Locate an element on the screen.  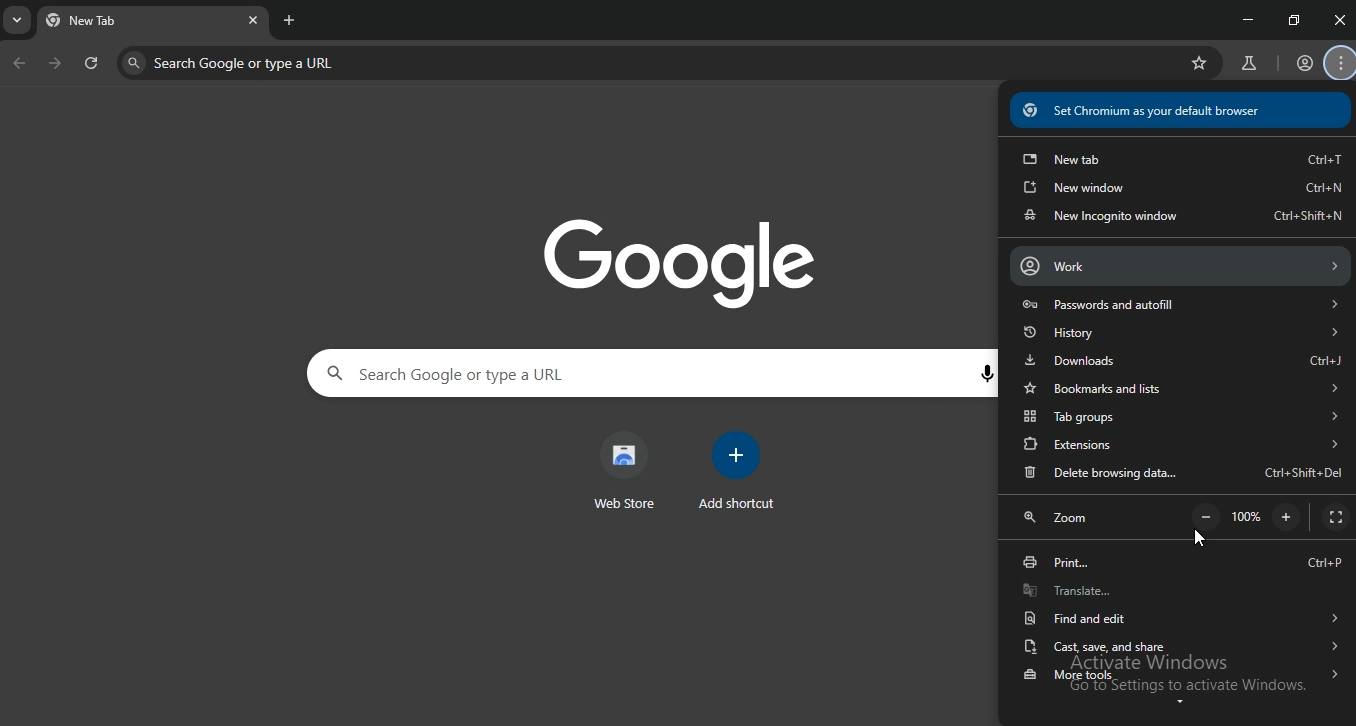
customize and control chromium is located at coordinates (1342, 64).